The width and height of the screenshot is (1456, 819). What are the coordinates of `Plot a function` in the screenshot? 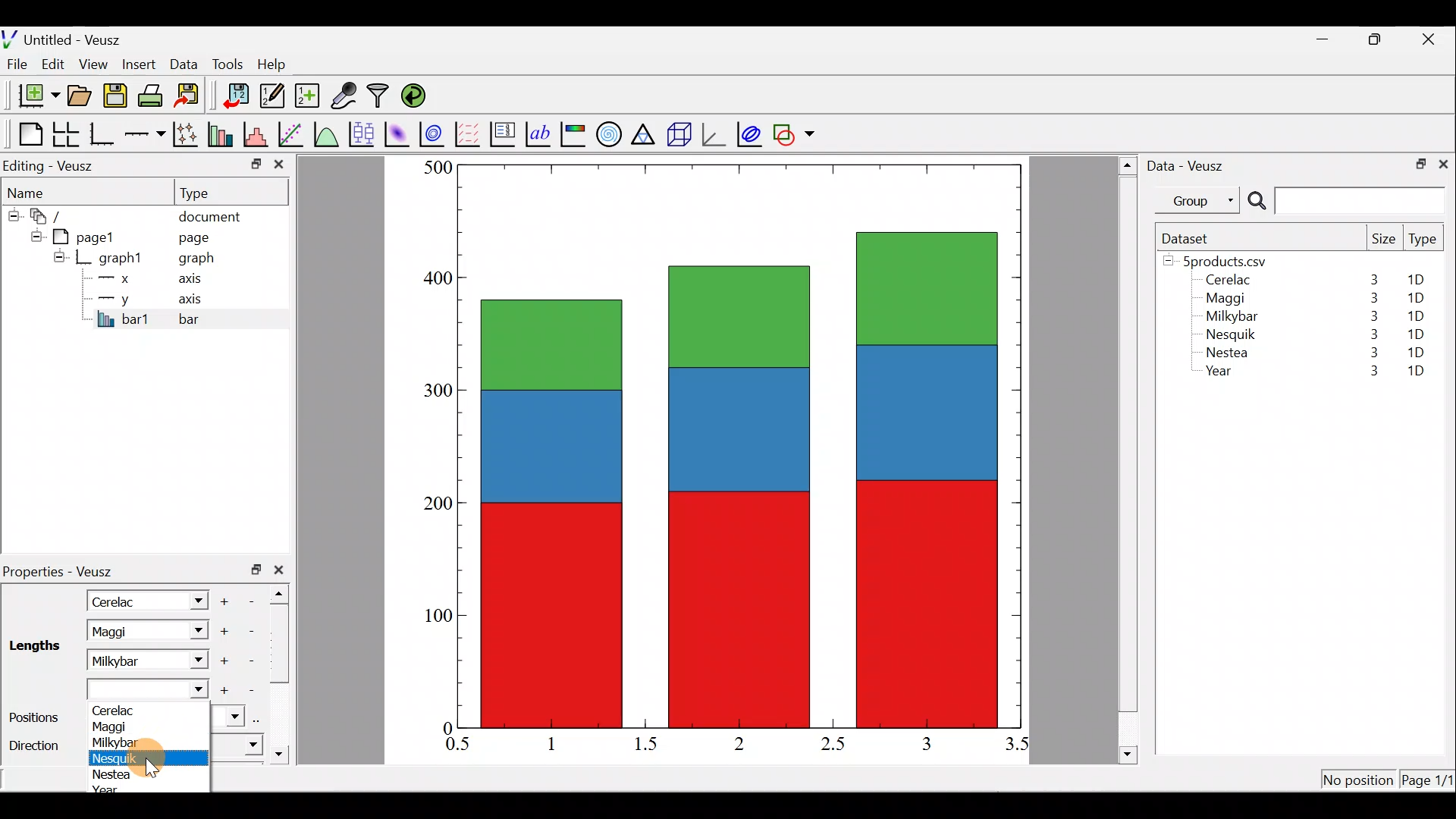 It's located at (327, 133).